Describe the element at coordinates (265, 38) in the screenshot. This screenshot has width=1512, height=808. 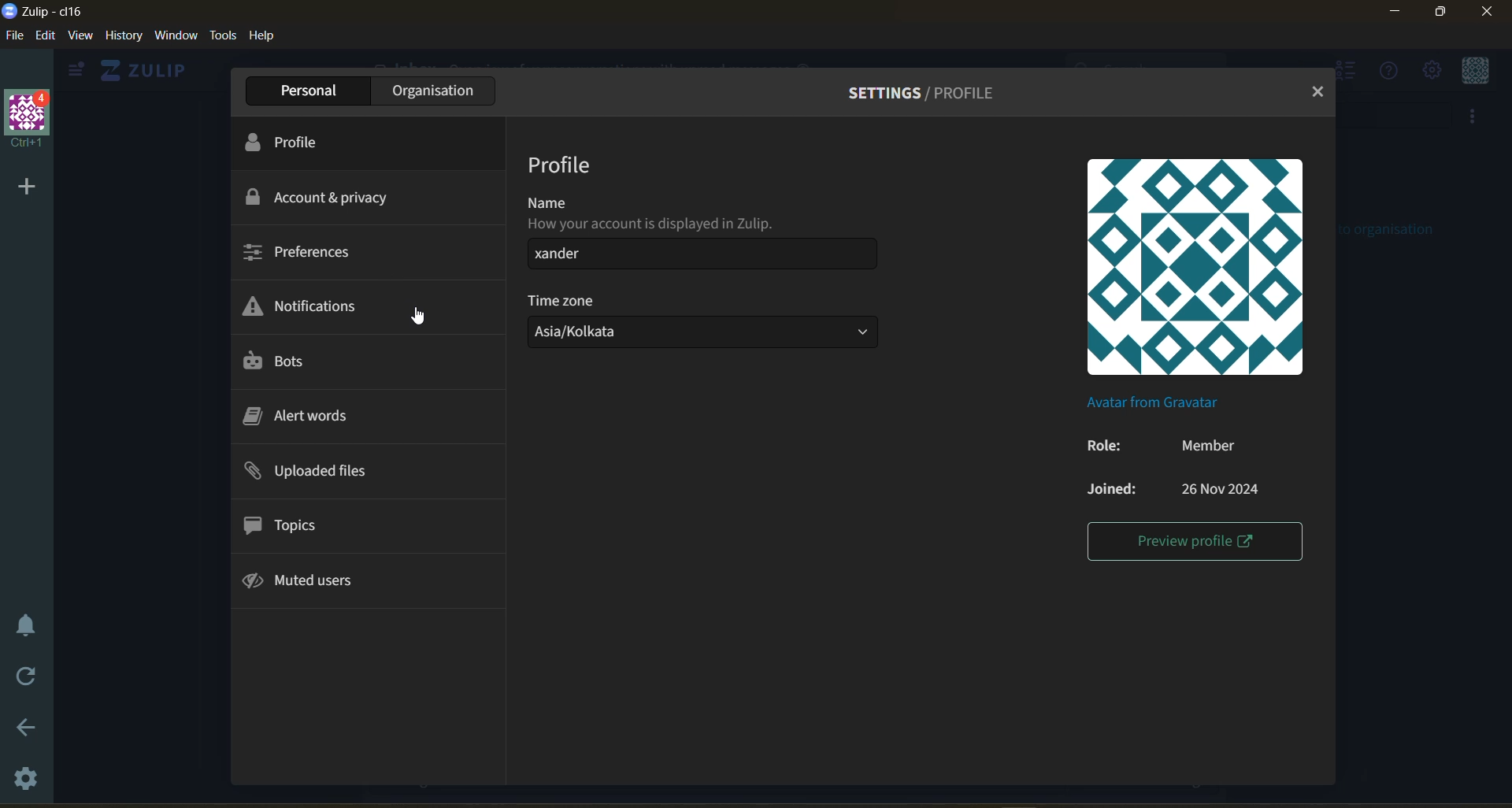
I see `help` at that location.